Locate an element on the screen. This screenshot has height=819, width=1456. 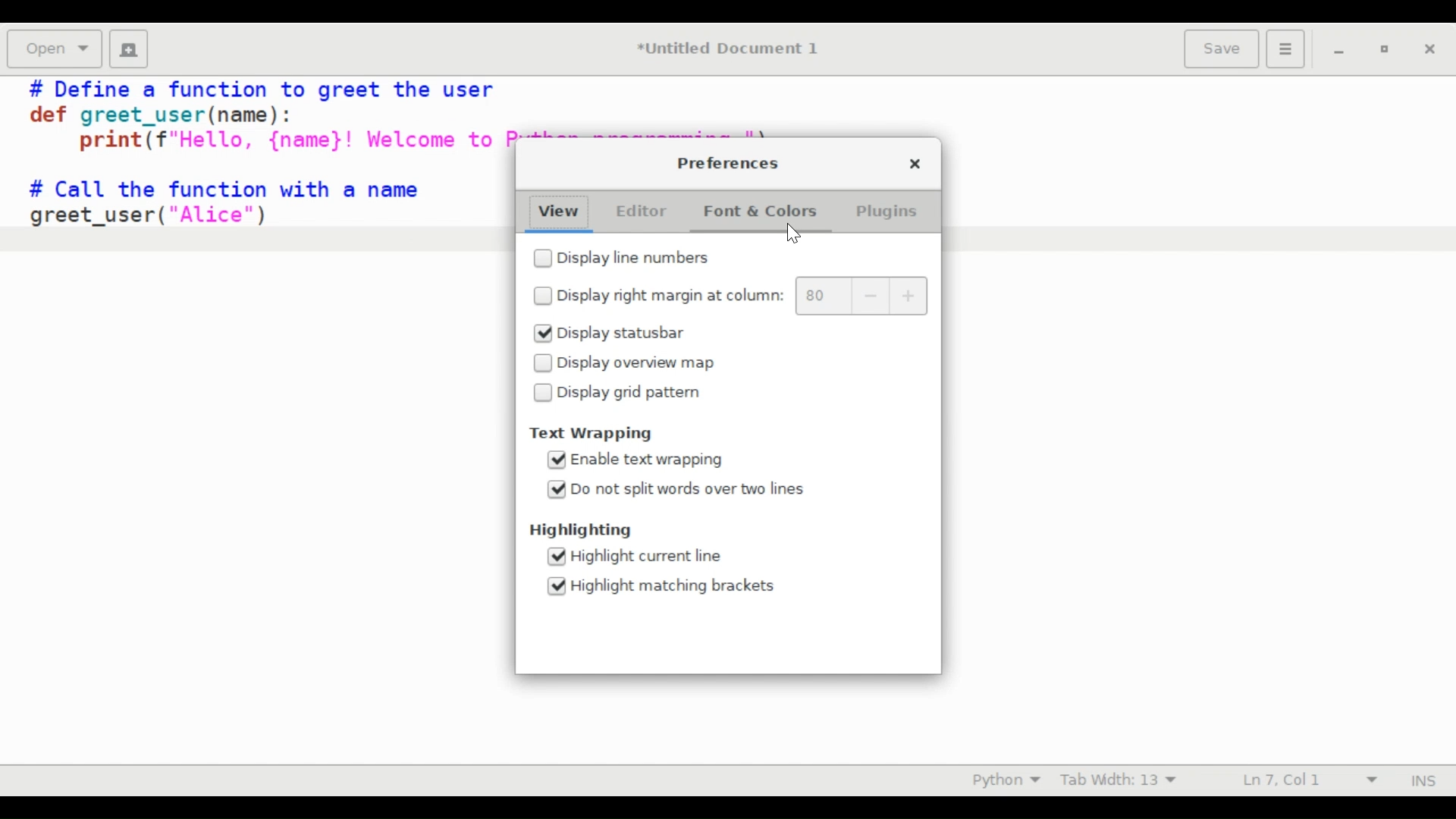
Highlighting mode is located at coordinates (1005, 780).